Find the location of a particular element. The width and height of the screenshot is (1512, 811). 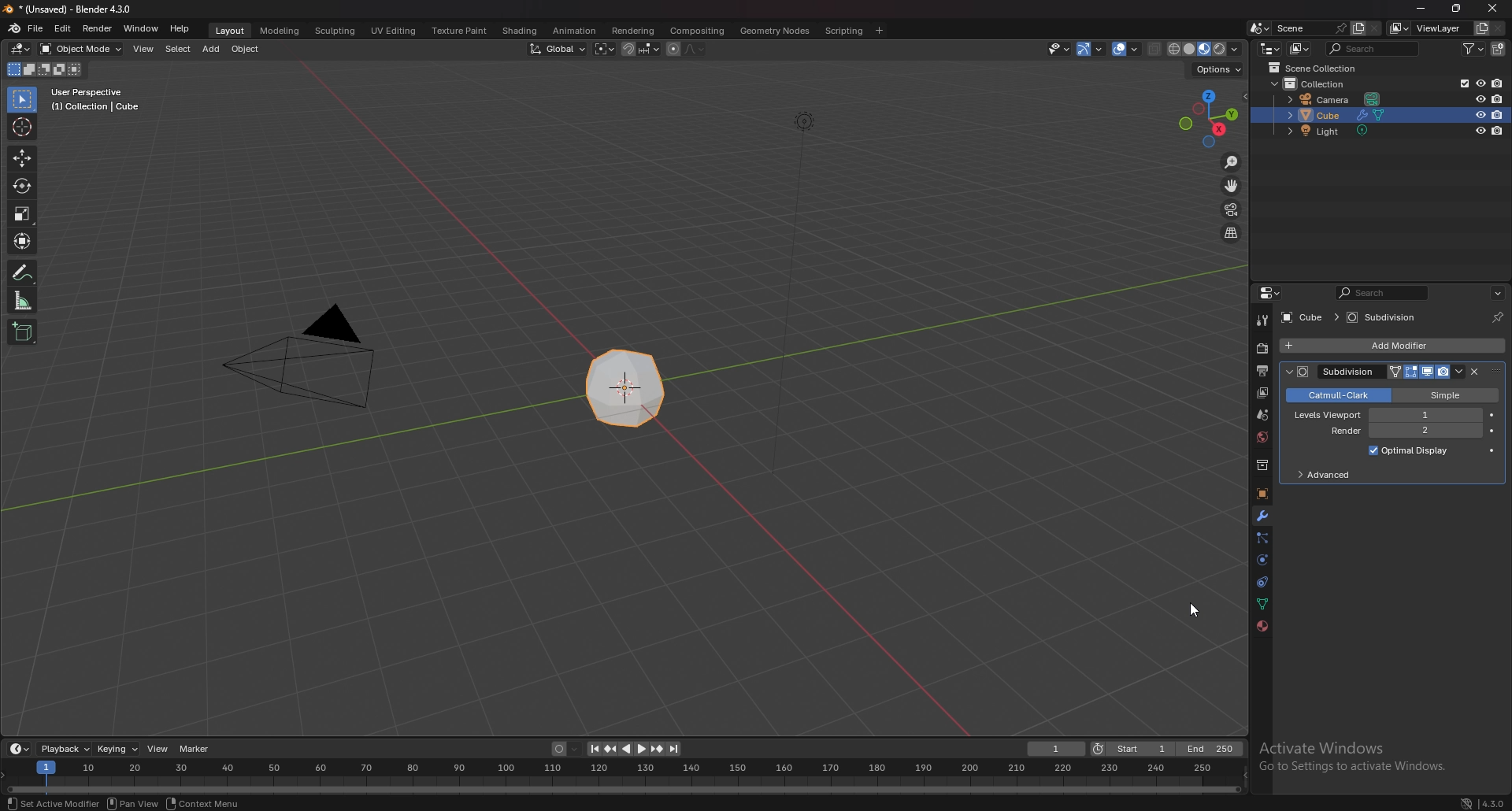

hide in viewport is located at coordinates (1480, 83).